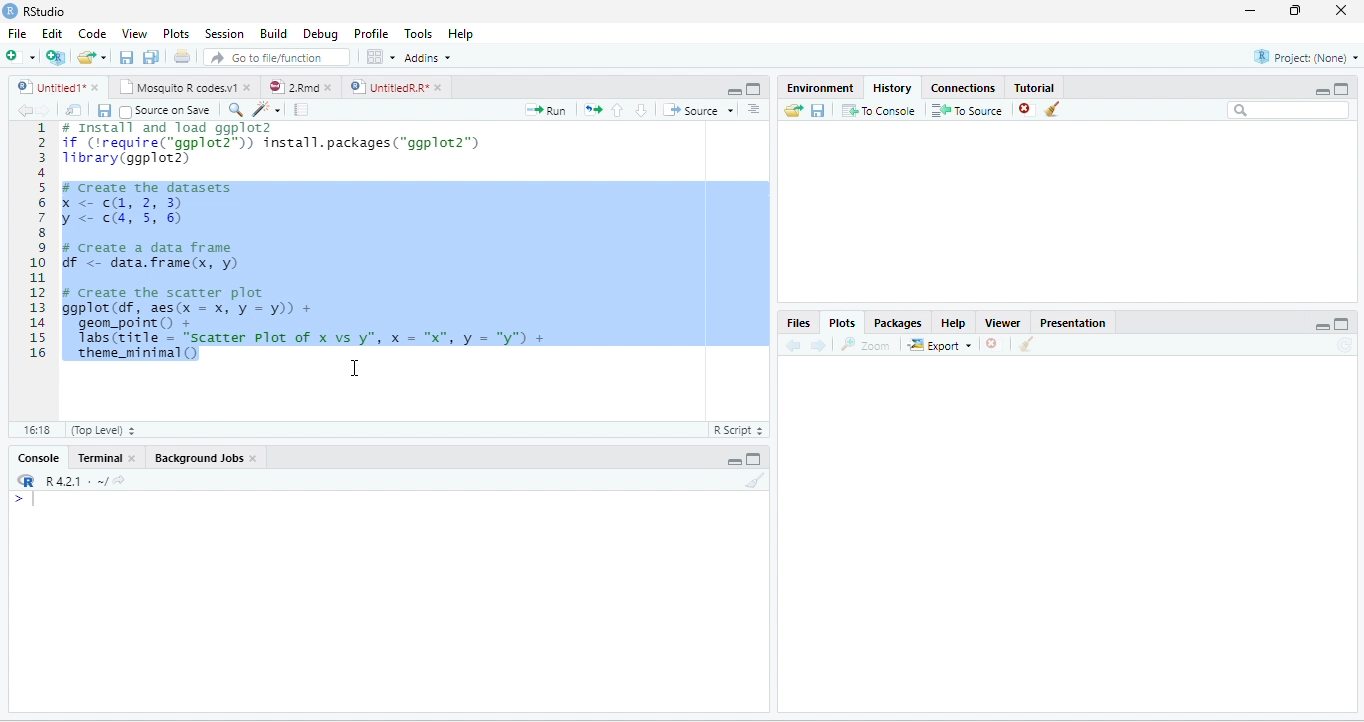  I want to click on Source on Save, so click(166, 112).